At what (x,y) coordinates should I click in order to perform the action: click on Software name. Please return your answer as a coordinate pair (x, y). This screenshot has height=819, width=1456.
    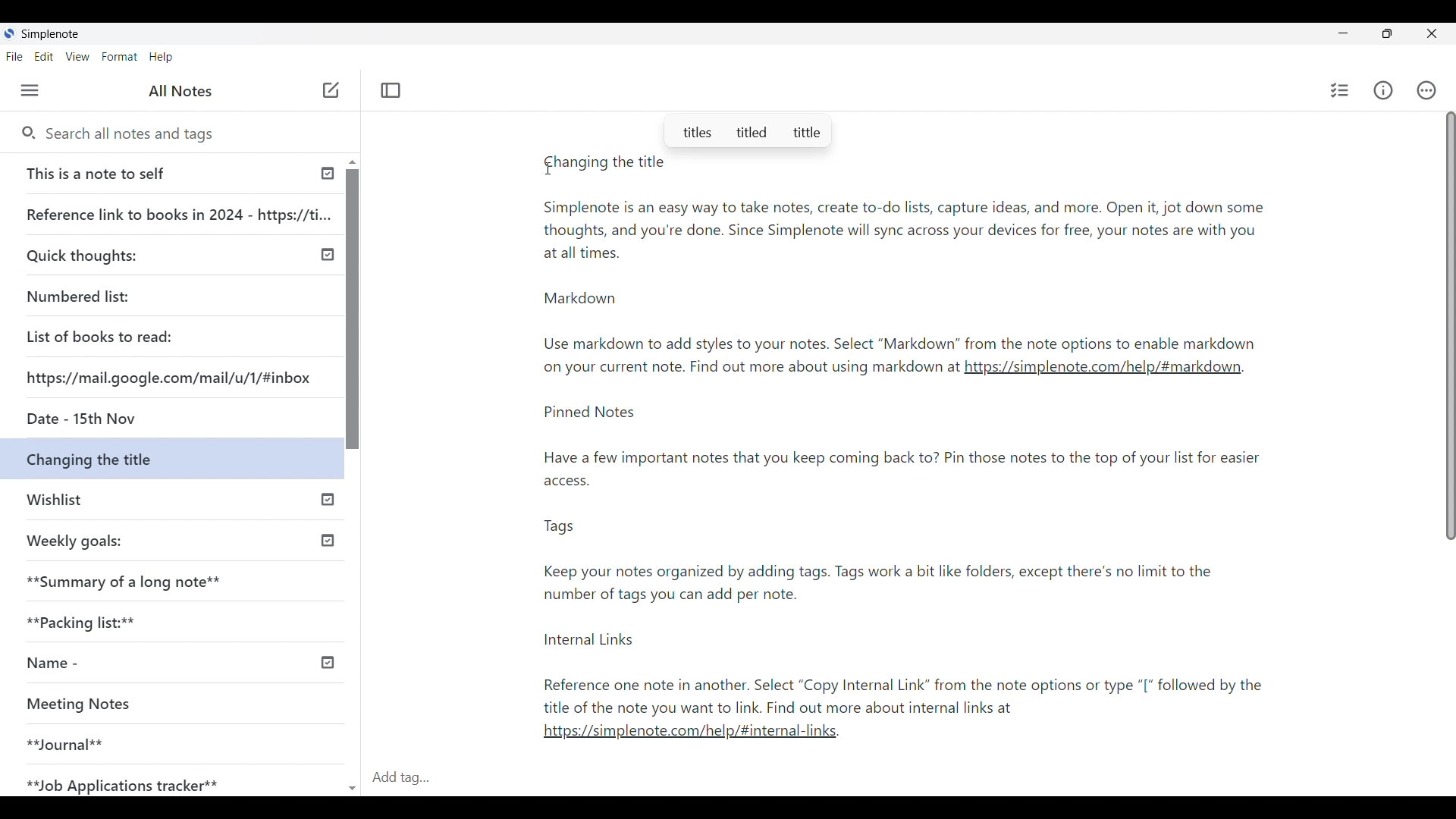
    Looking at the image, I should click on (49, 34).